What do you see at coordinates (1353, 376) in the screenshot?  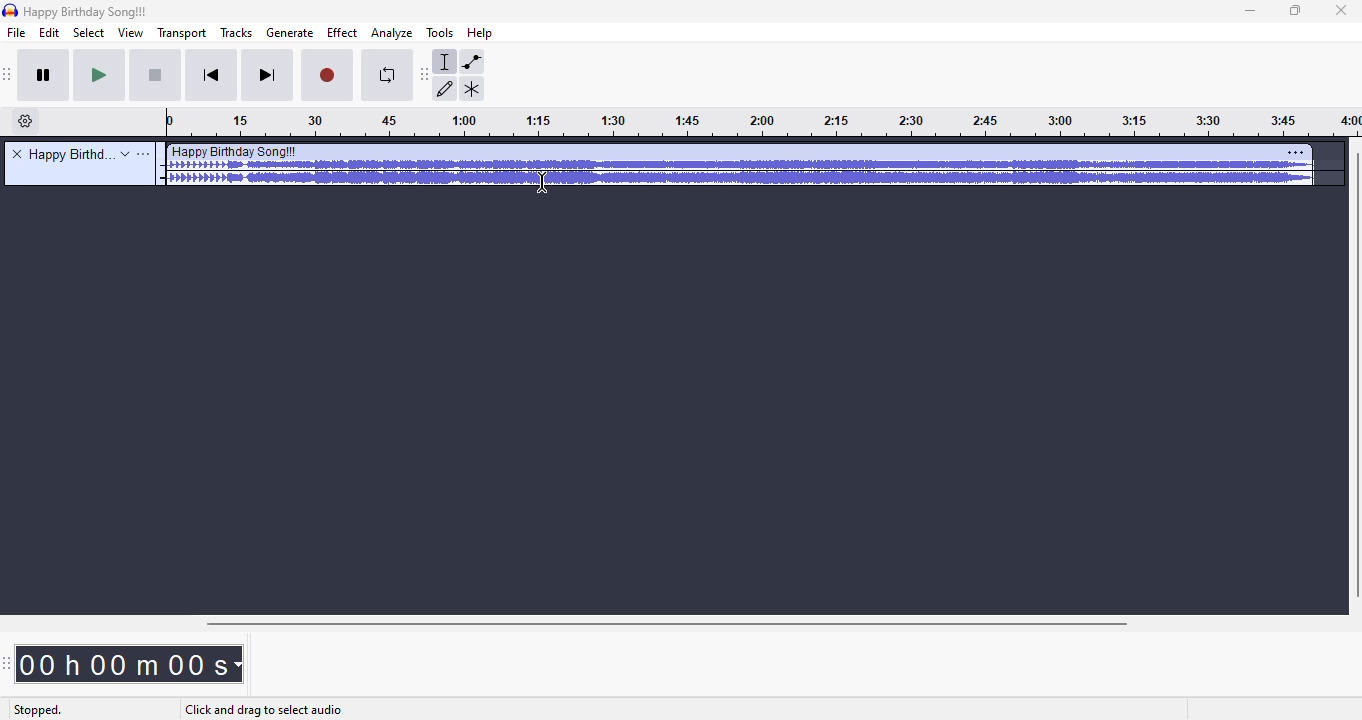 I see `vertical scroll bar` at bounding box center [1353, 376].